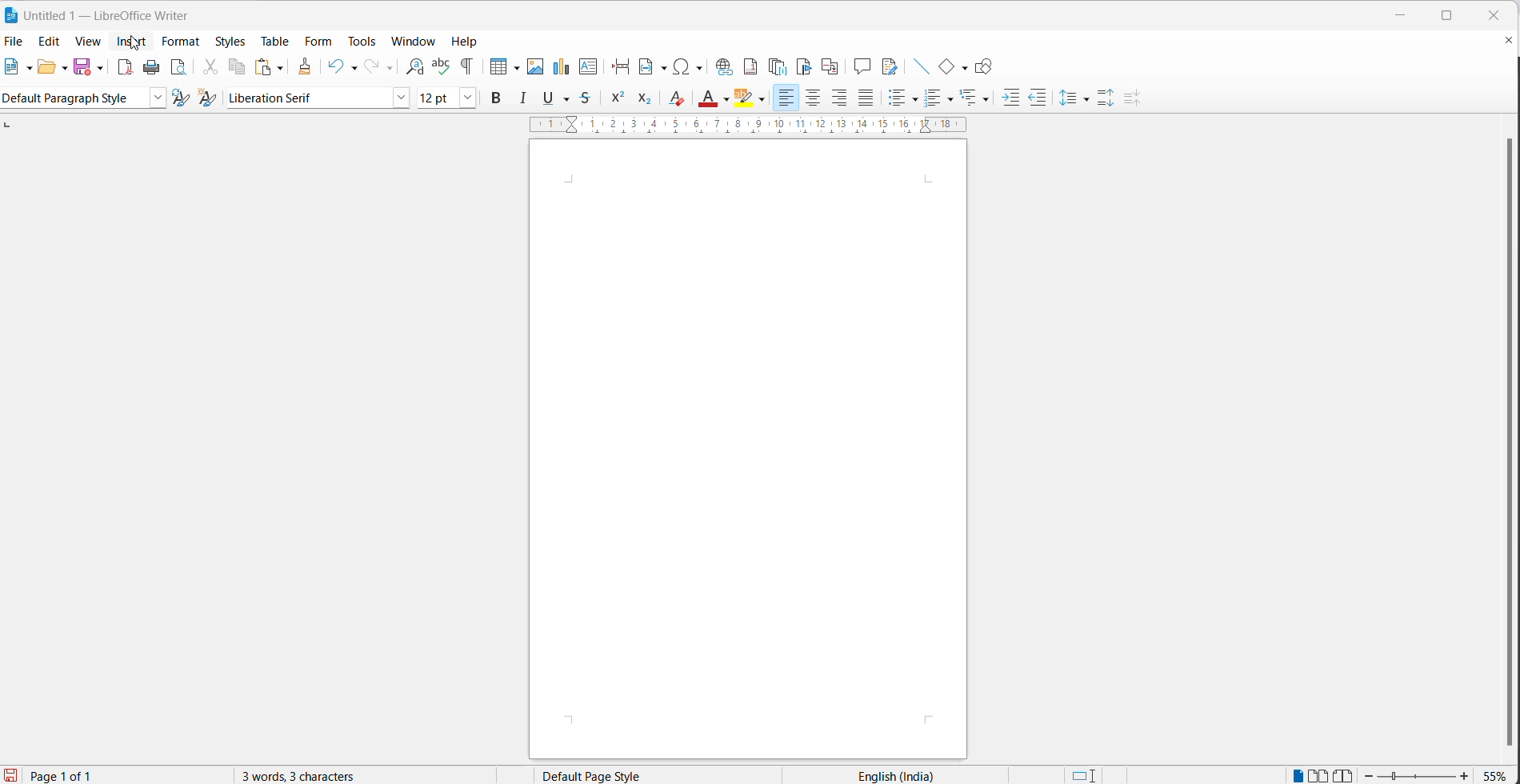  I want to click on font color, so click(708, 101).